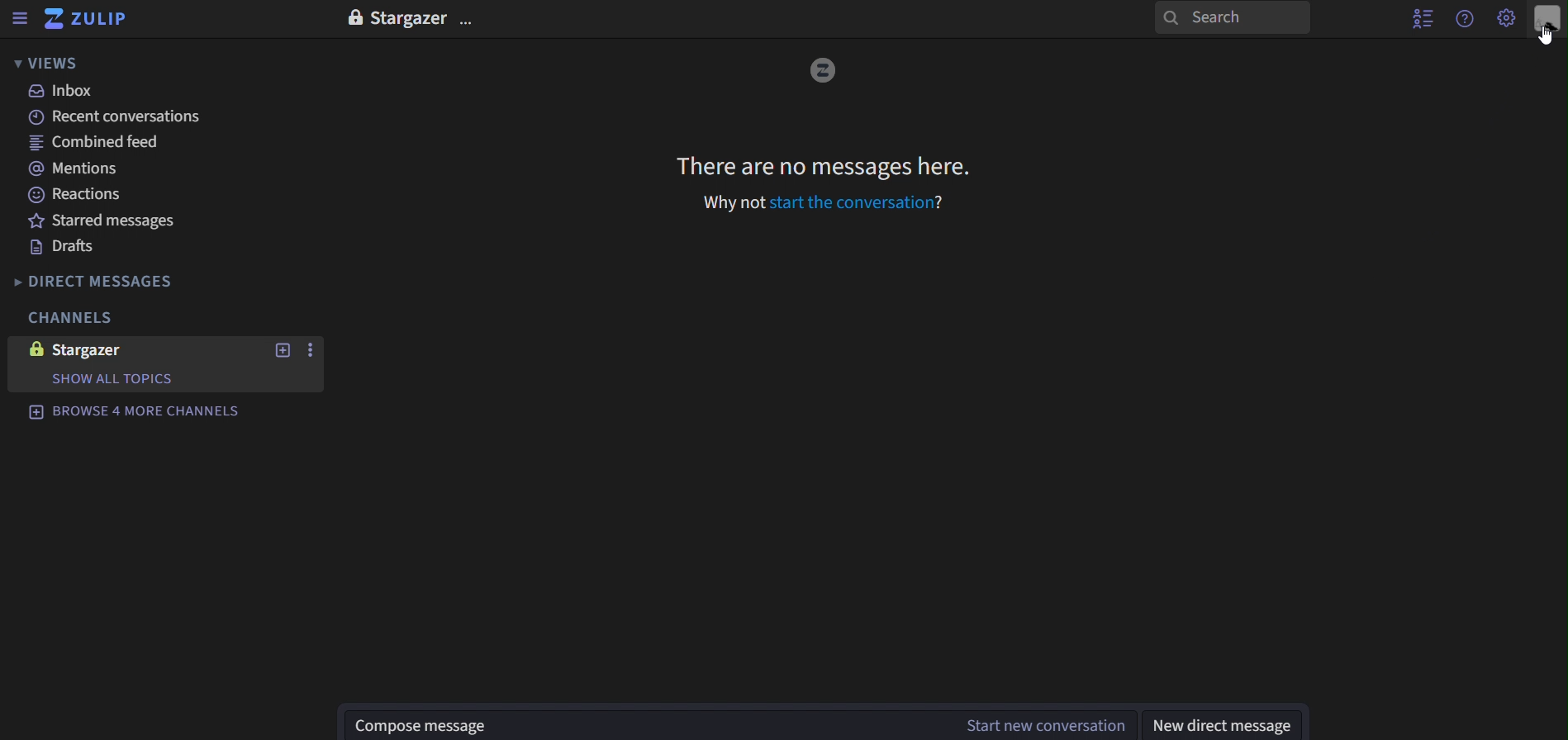 This screenshot has width=1568, height=740. Describe the element at coordinates (425, 17) in the screenshot. I see `text` at that location.